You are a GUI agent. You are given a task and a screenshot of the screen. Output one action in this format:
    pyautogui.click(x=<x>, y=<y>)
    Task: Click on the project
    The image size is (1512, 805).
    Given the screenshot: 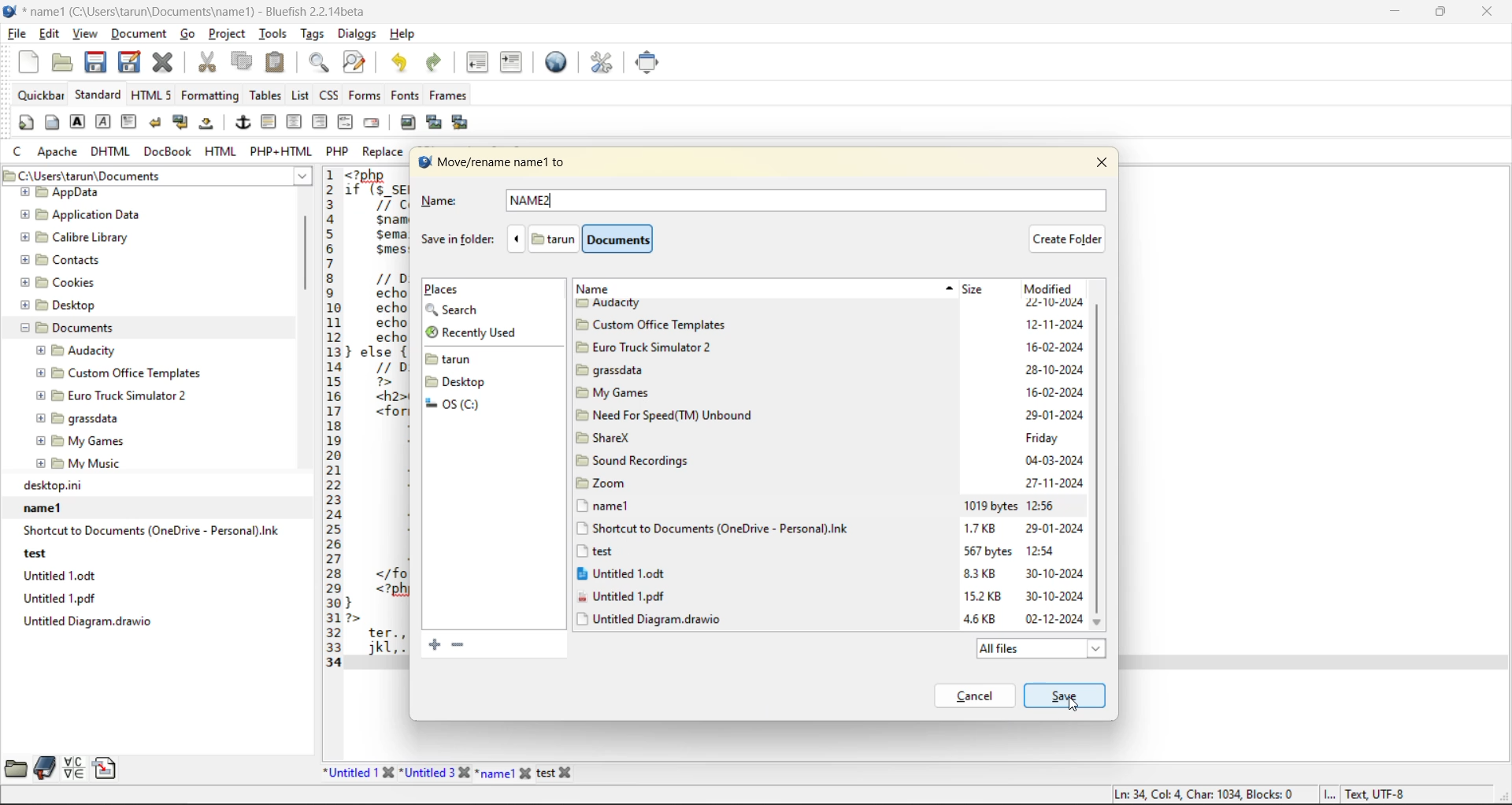 What is the action you would take?
    pyautogui.click(x=228, y=34)
    